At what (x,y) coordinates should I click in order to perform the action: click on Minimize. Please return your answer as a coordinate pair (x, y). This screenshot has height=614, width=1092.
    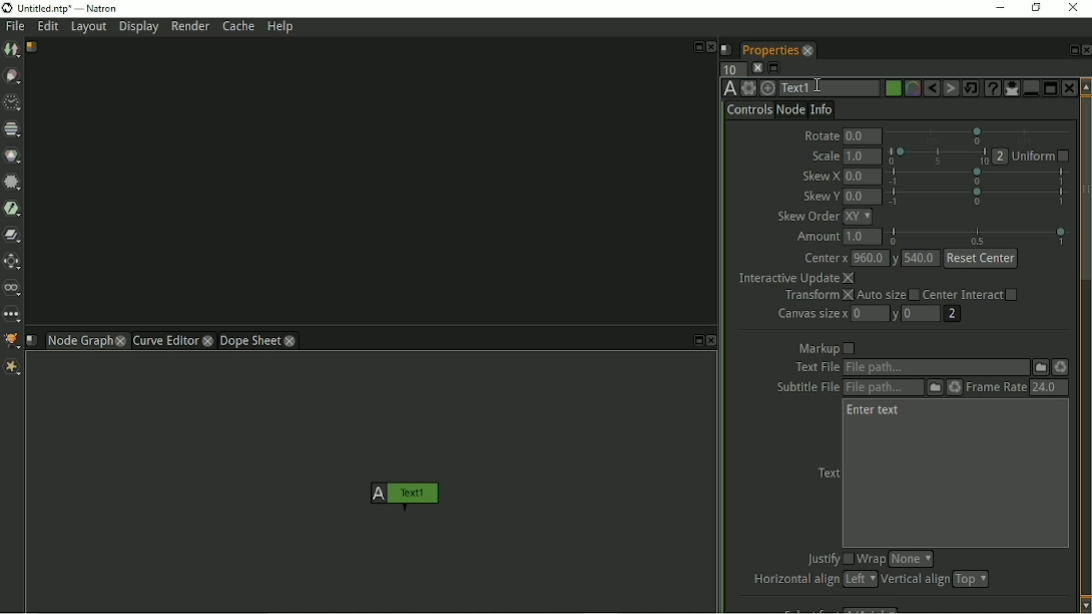
    Looking at the image, I should click on (1029, 88).